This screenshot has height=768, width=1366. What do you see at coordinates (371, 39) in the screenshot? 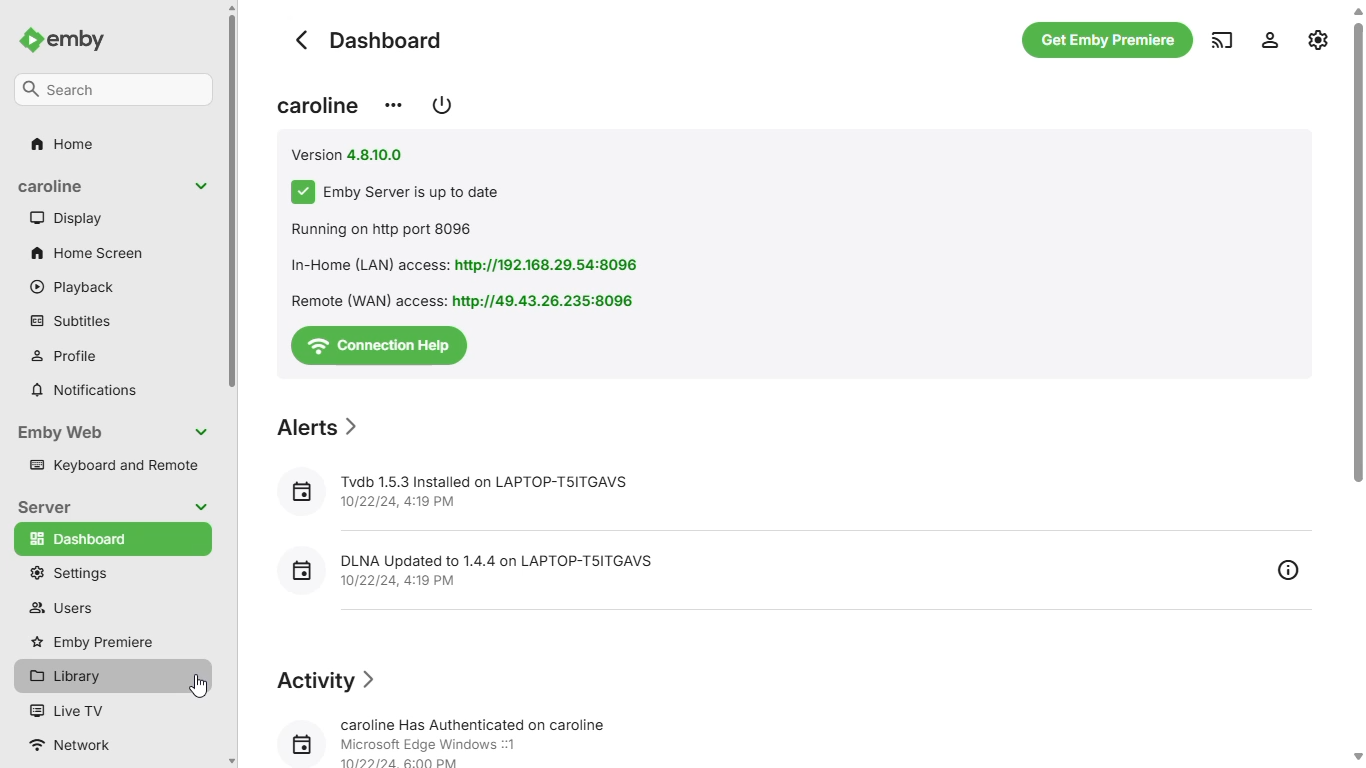
I see `dashboard` at bounding box center [371, 39].